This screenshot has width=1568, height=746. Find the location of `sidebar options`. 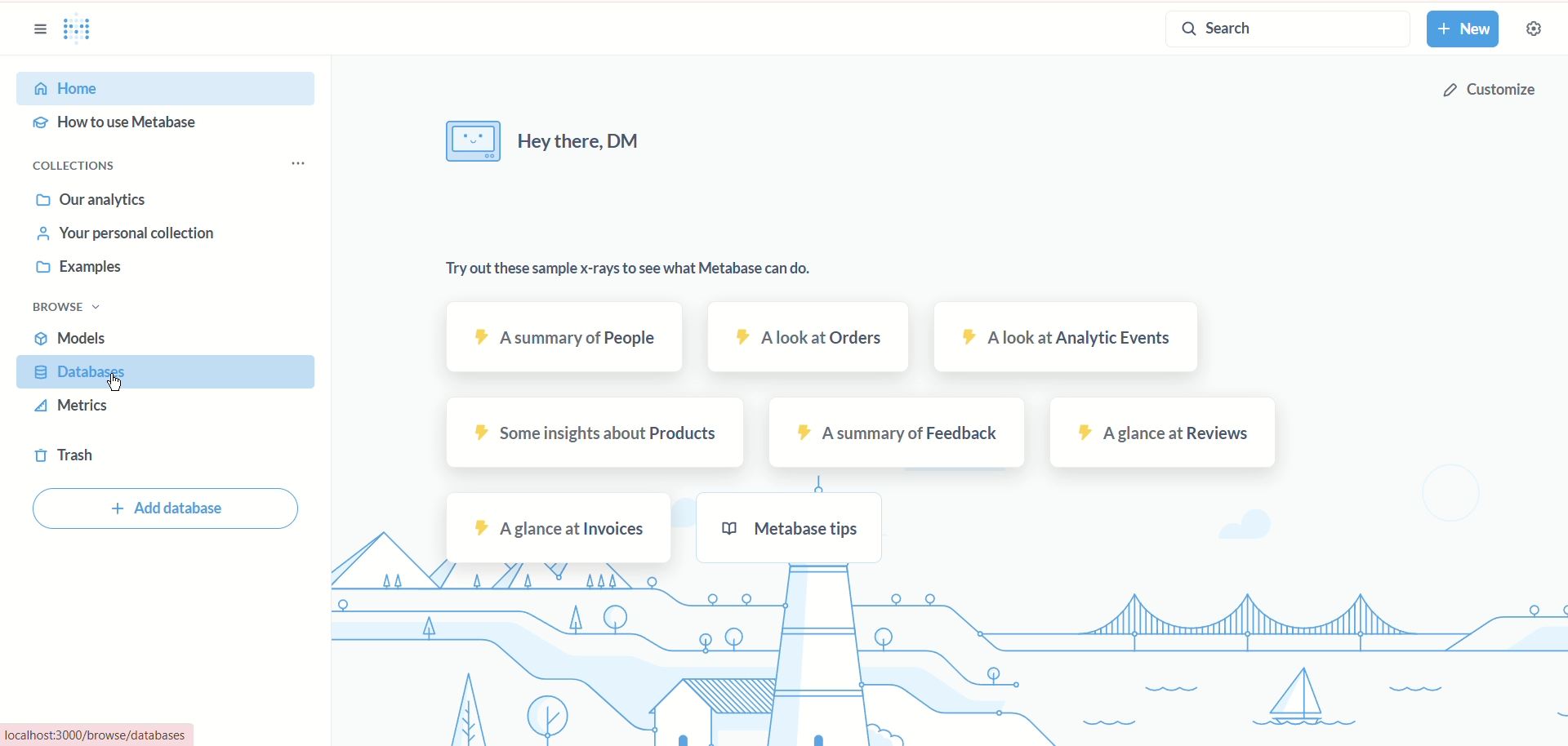

sidebar options is located at coordinates (38, 29).